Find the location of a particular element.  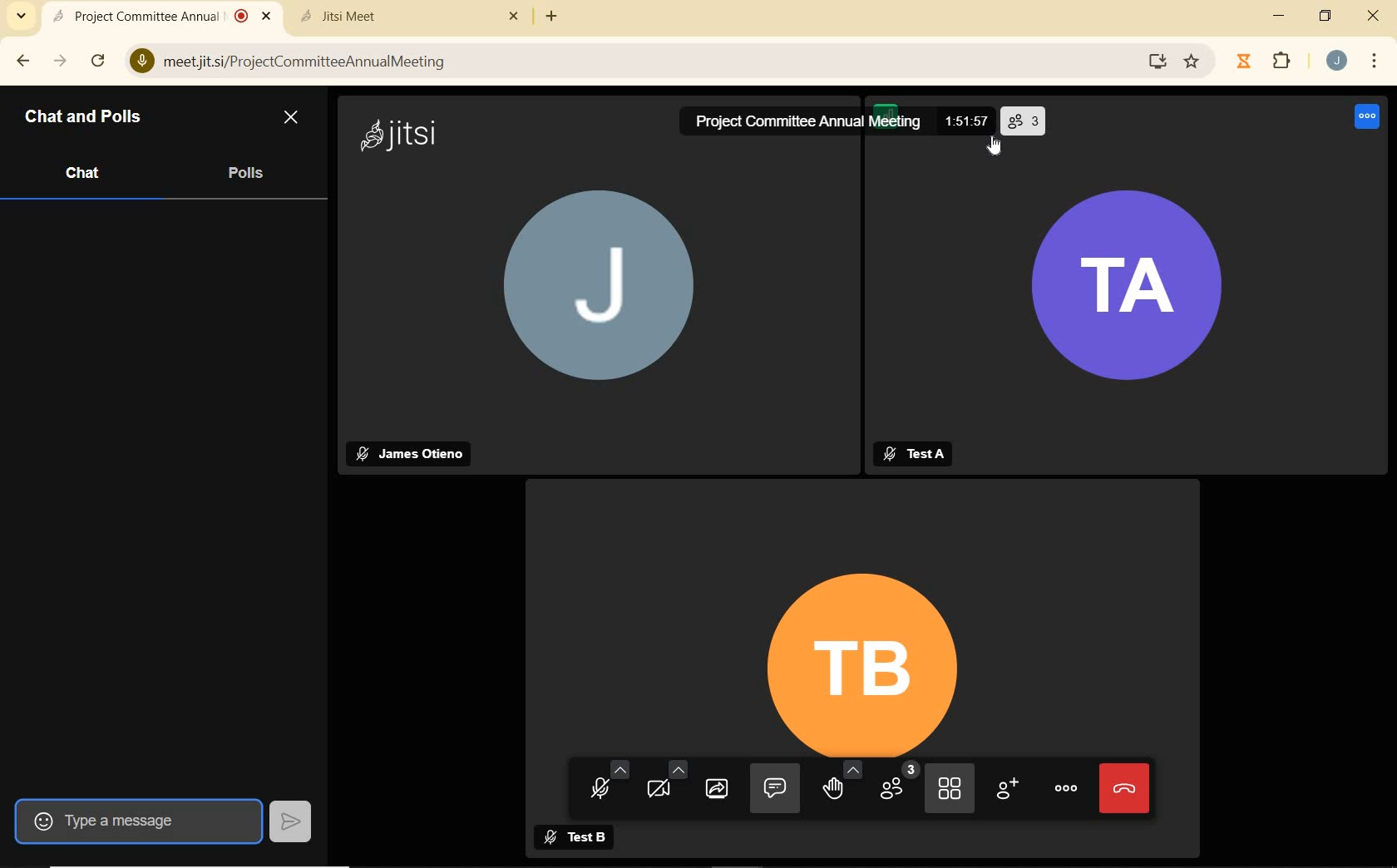

forward is located at coordinates (62, 60).